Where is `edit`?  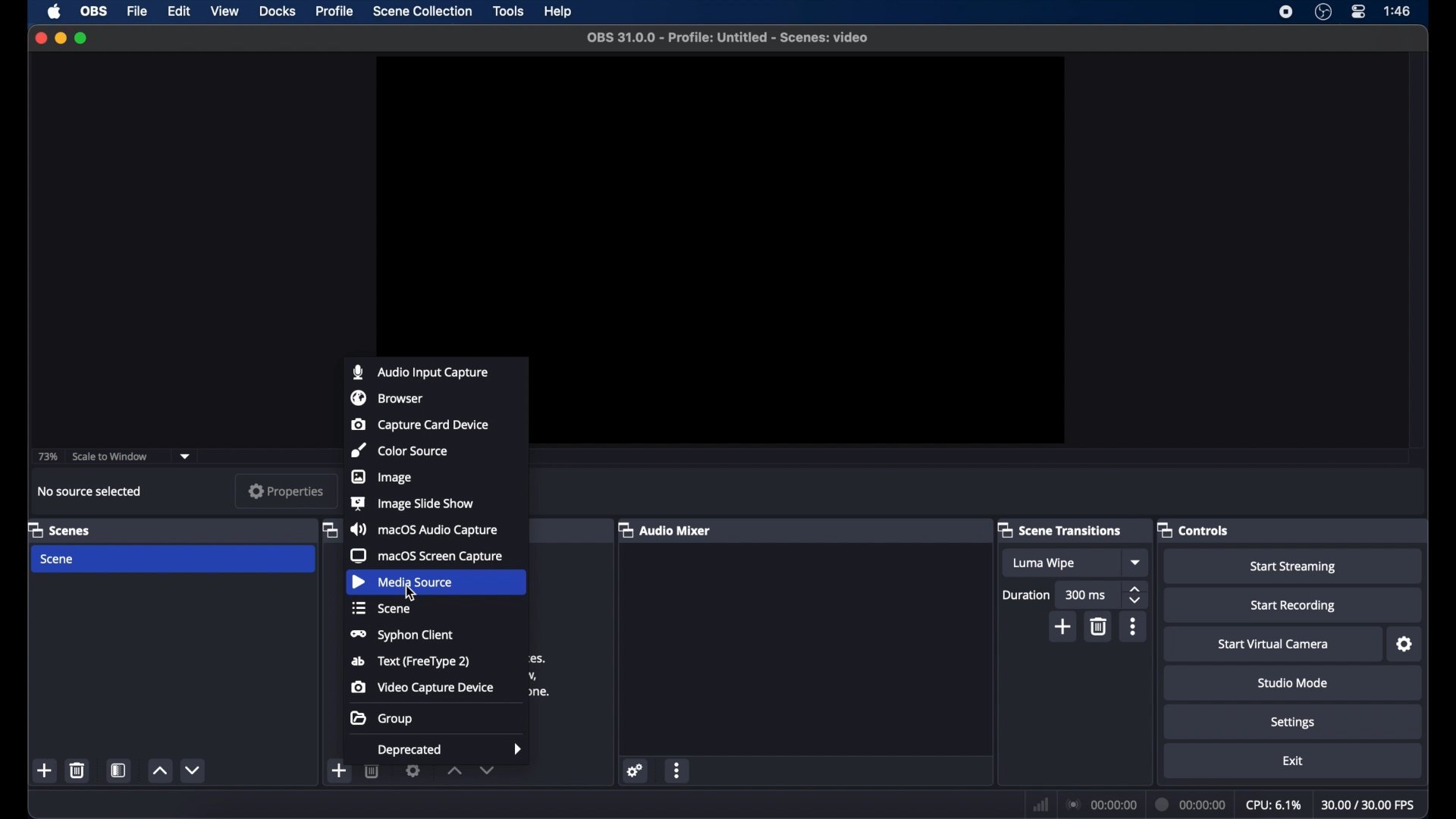 edit is located at coordinates (178, 12).